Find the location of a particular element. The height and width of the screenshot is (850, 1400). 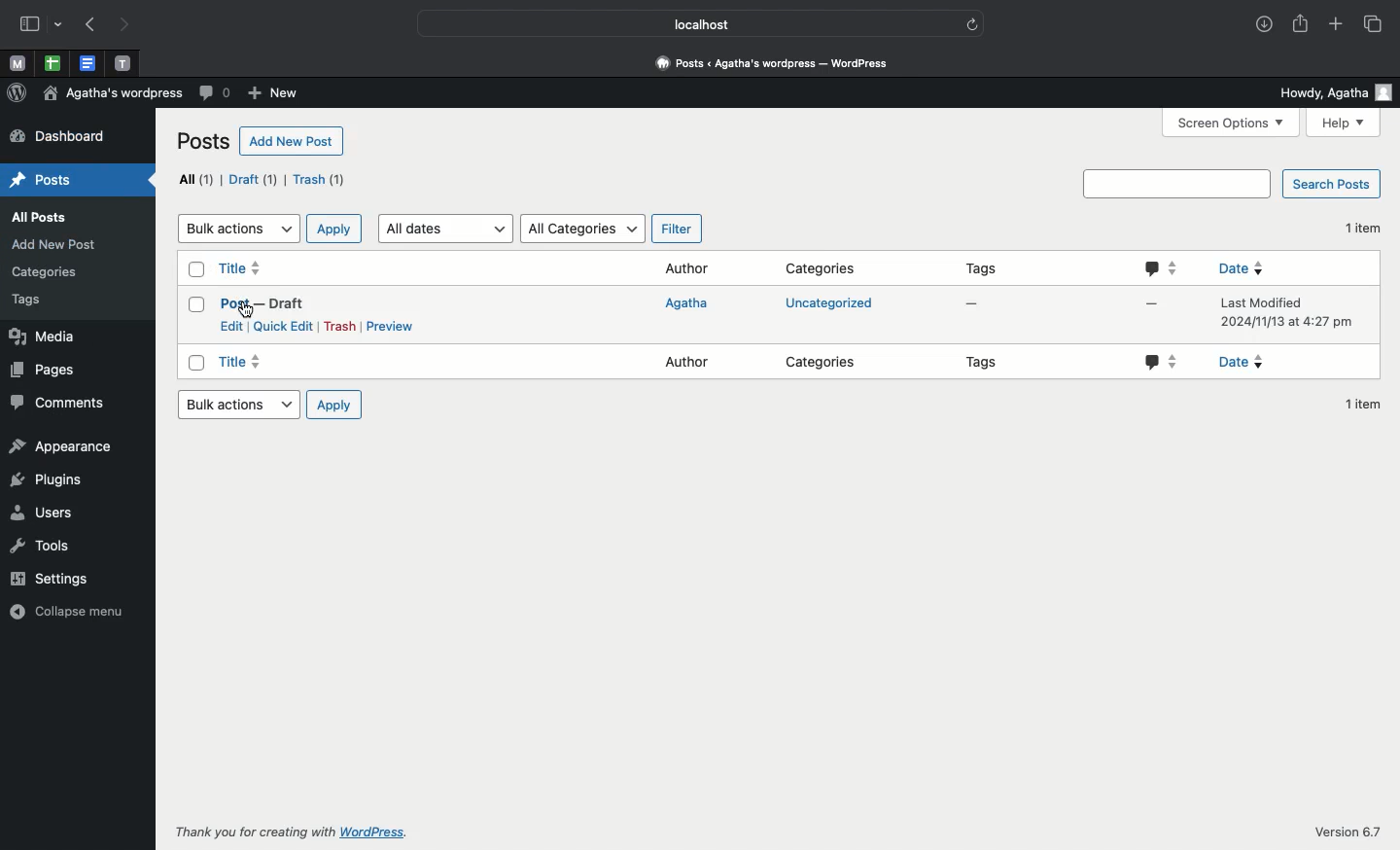

Posts is located at coordinates (205, 142).